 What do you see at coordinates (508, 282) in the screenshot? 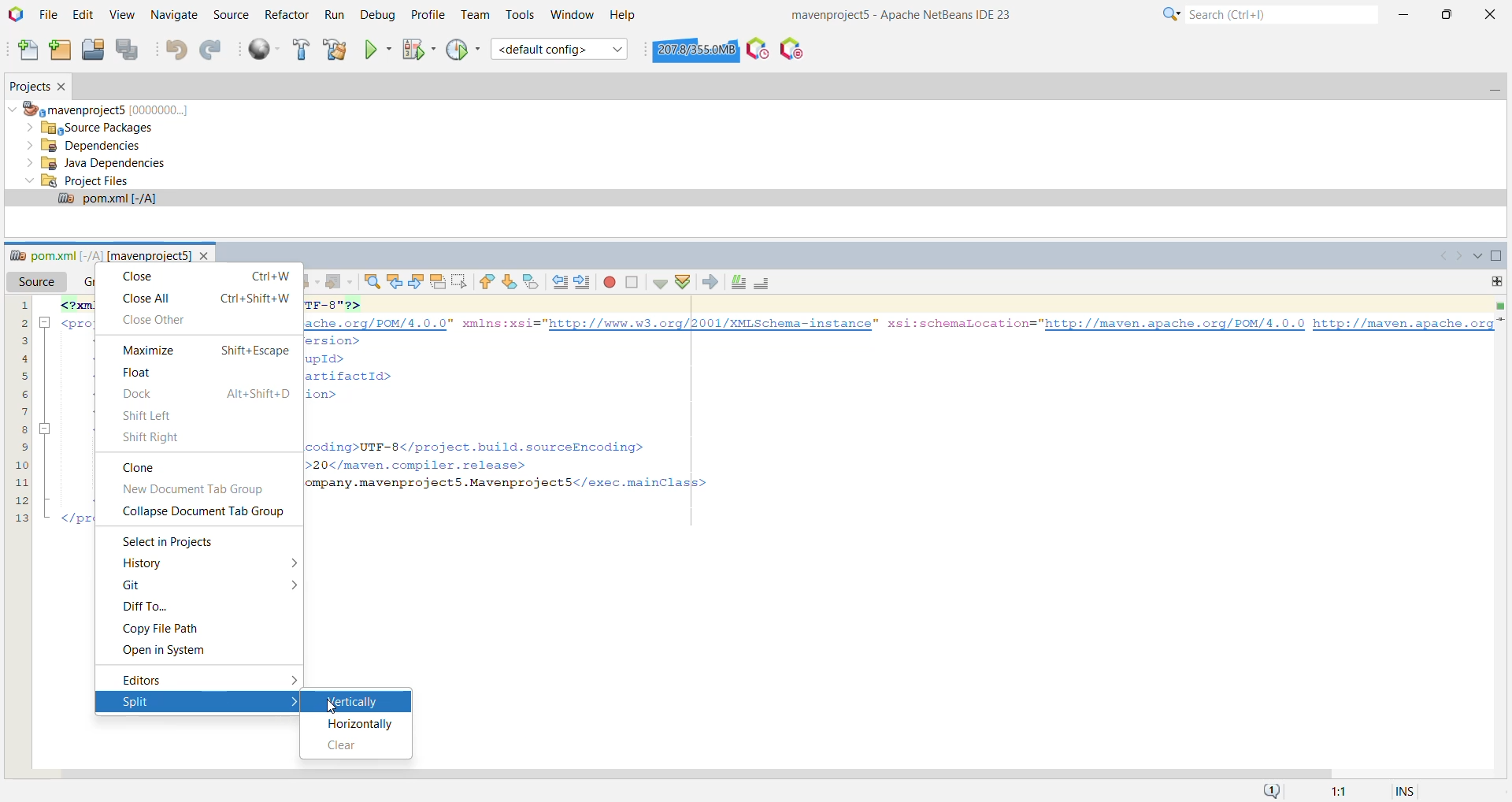
I see `Next Bookmark` at bounding box center [508, 282].